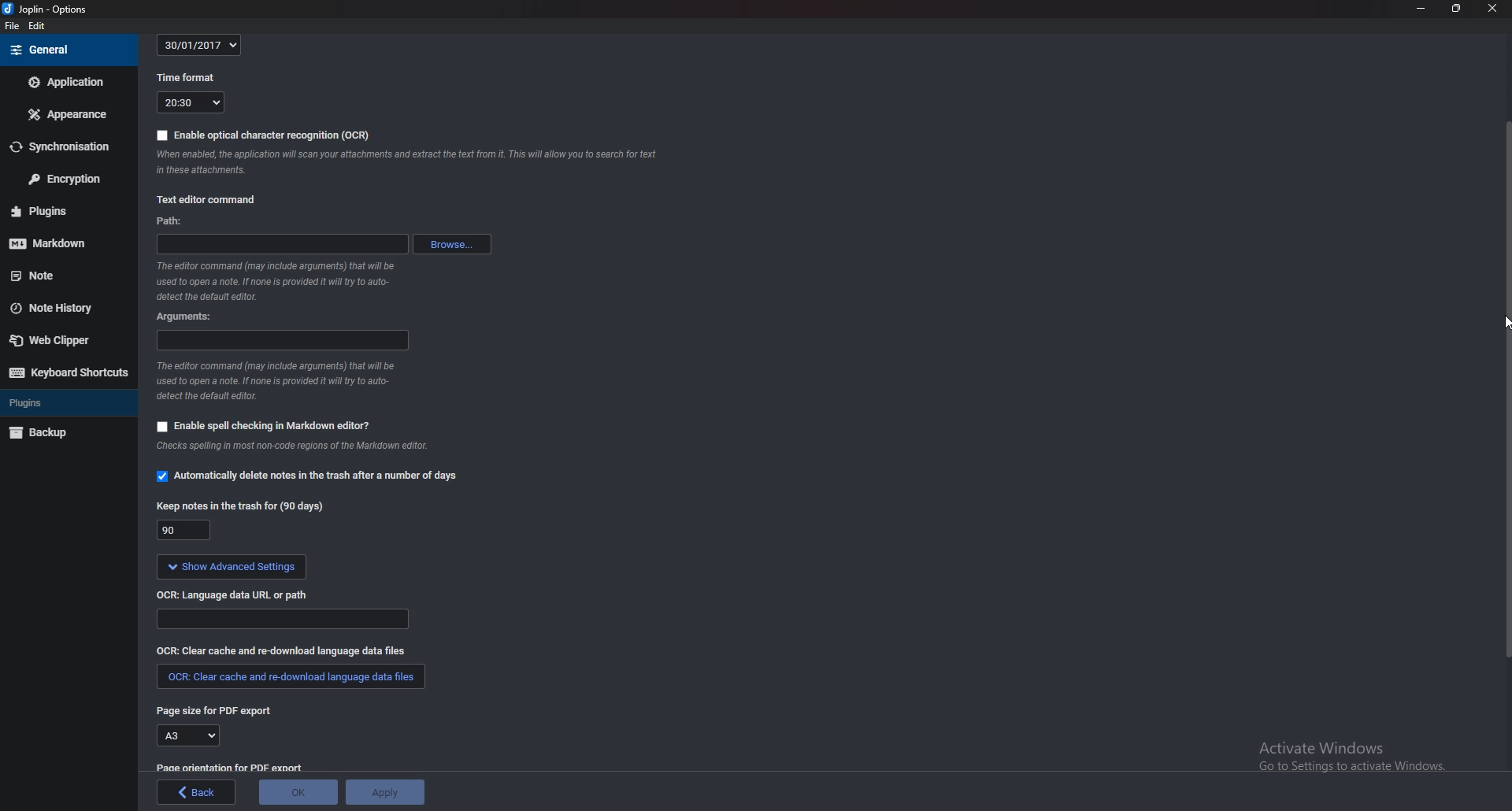  What do you see at coordinates (189, 78) in the screenshot?
I see `Time format` at bounding box center [189, 78].